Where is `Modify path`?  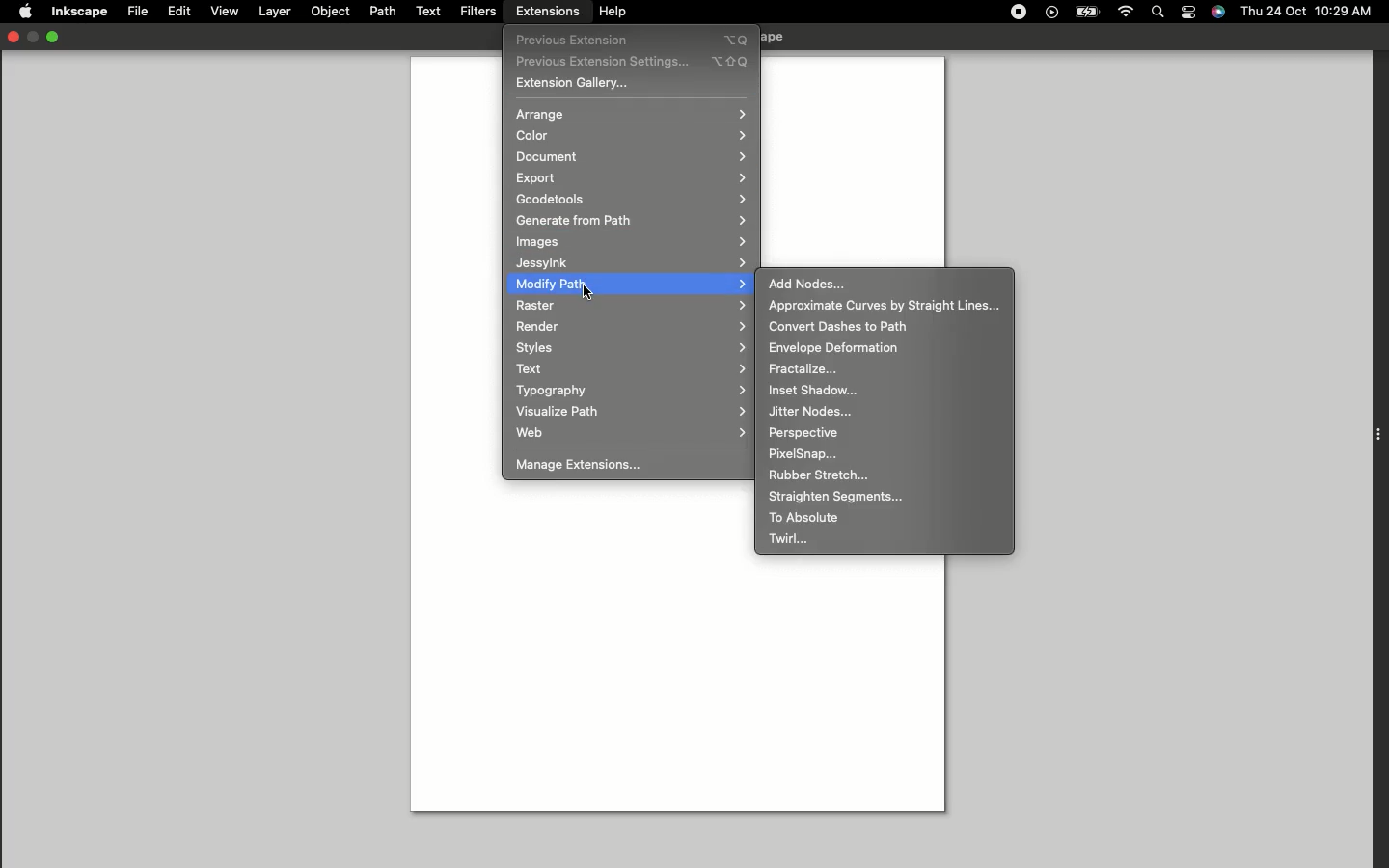
Modify path is located at coordinates (628, 284).